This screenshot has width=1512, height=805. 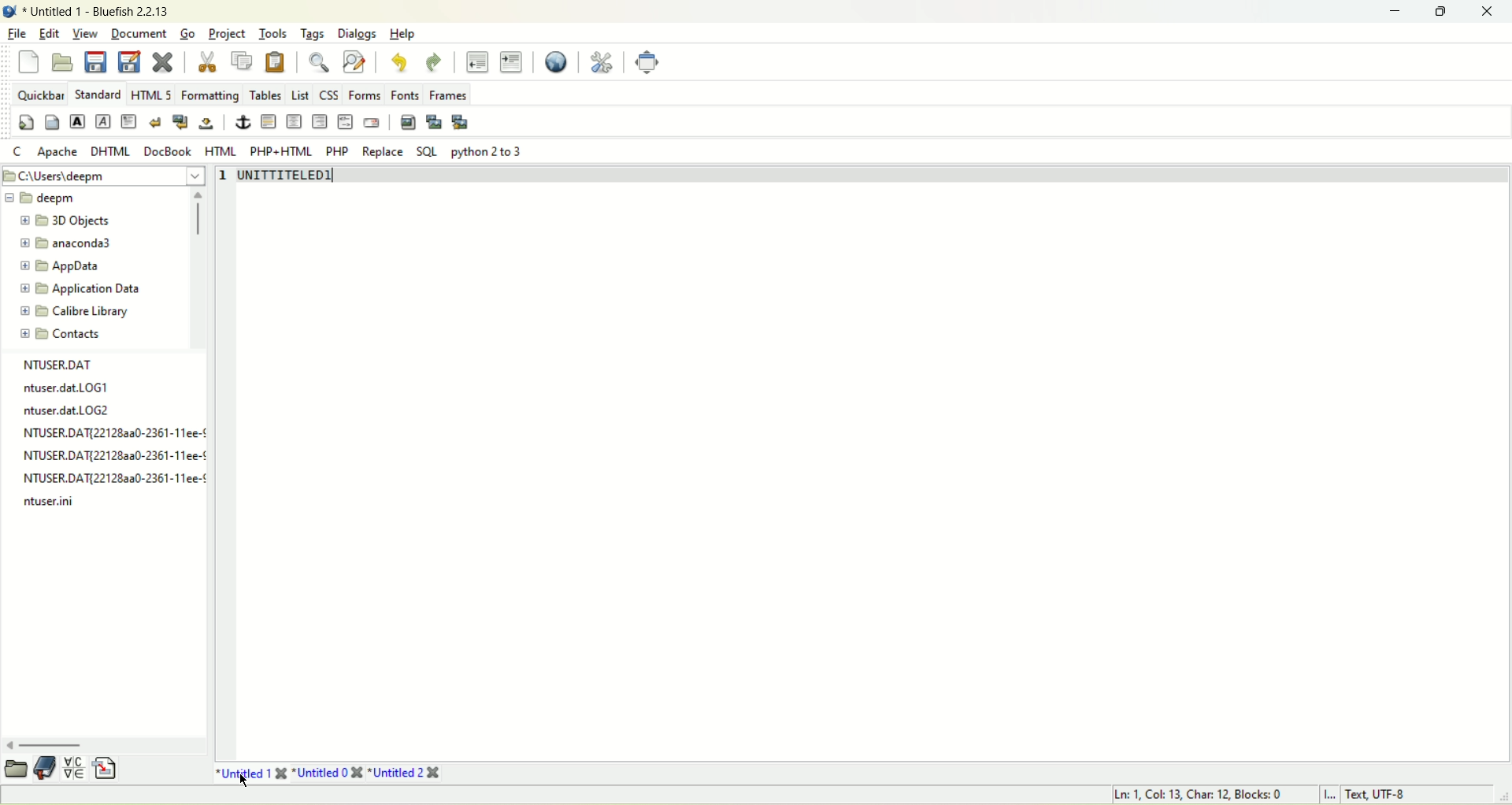 I want to click on open , so click(x=16, y=770).